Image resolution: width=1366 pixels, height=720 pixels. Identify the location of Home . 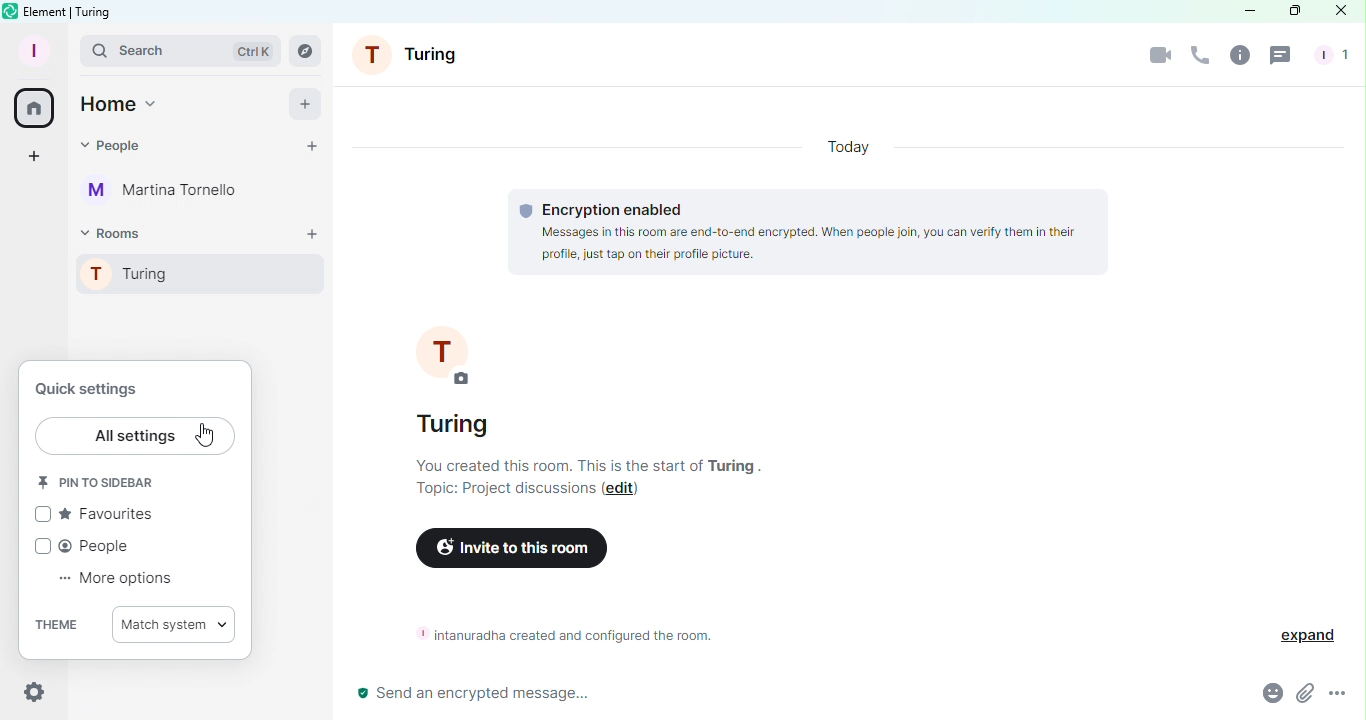
(126, 103).